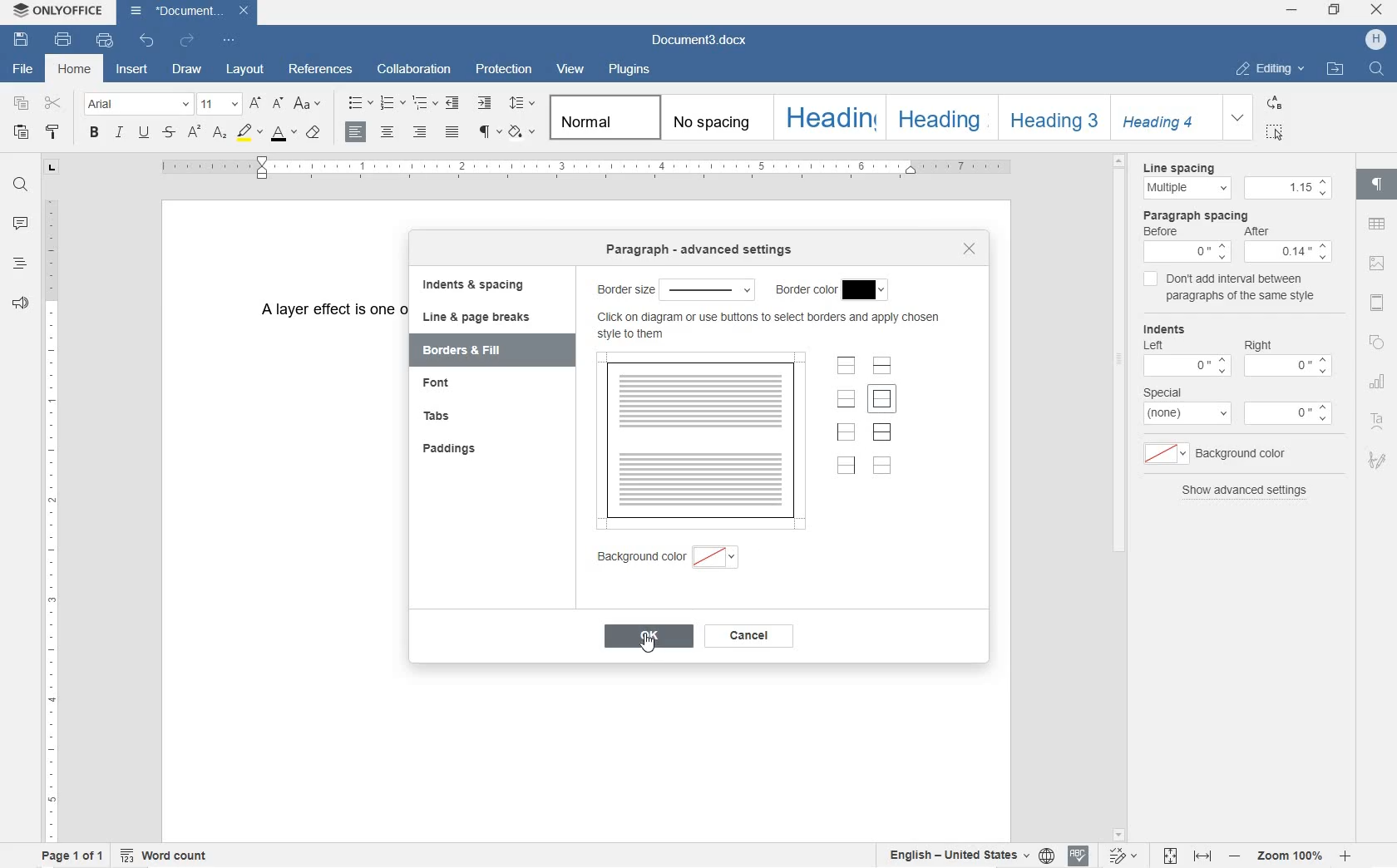 The height and width of the screenshot is (868, 1397). I want to click on indents & spacing, so click(478, 284).